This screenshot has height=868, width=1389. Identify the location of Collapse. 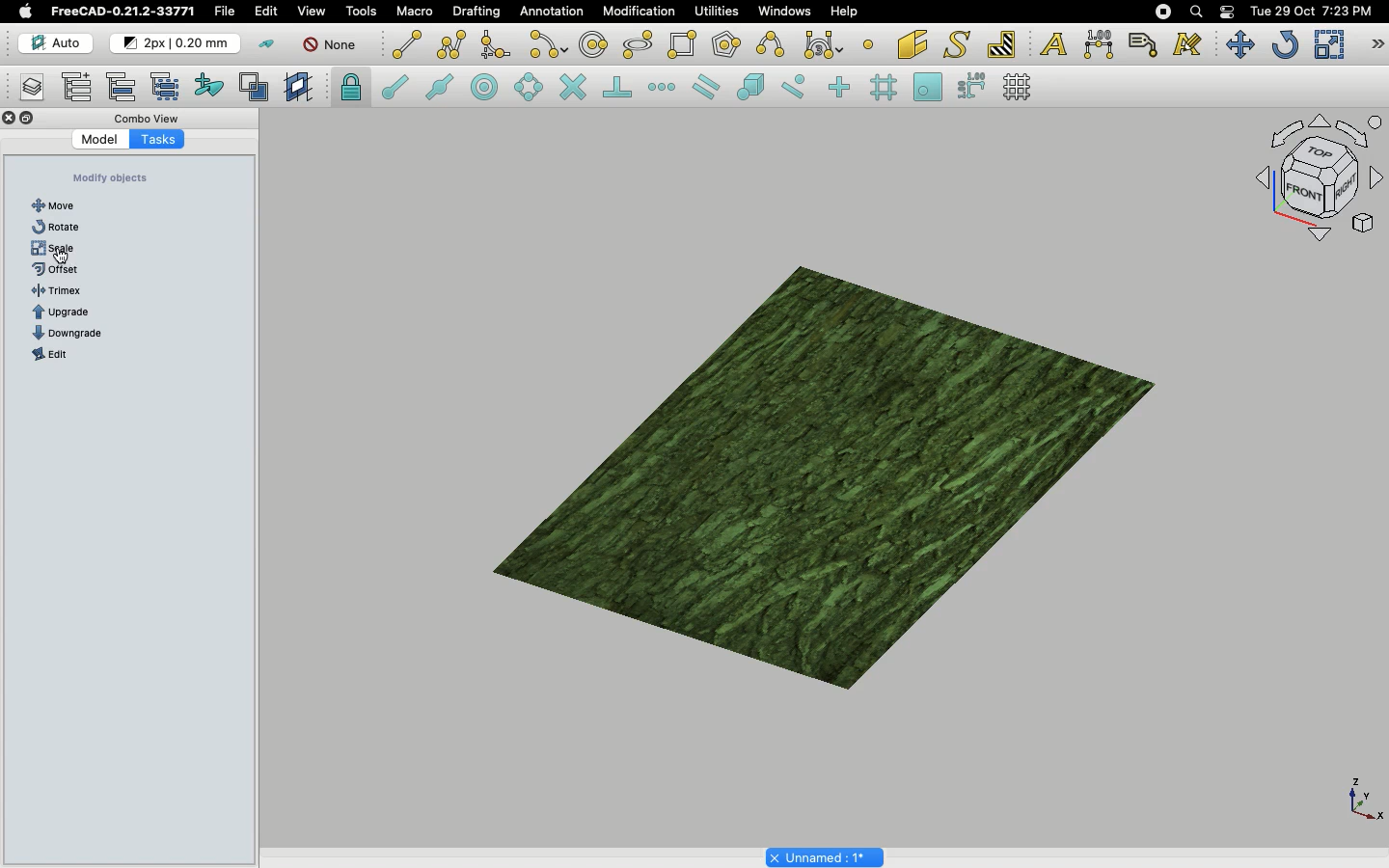
(27, 119).